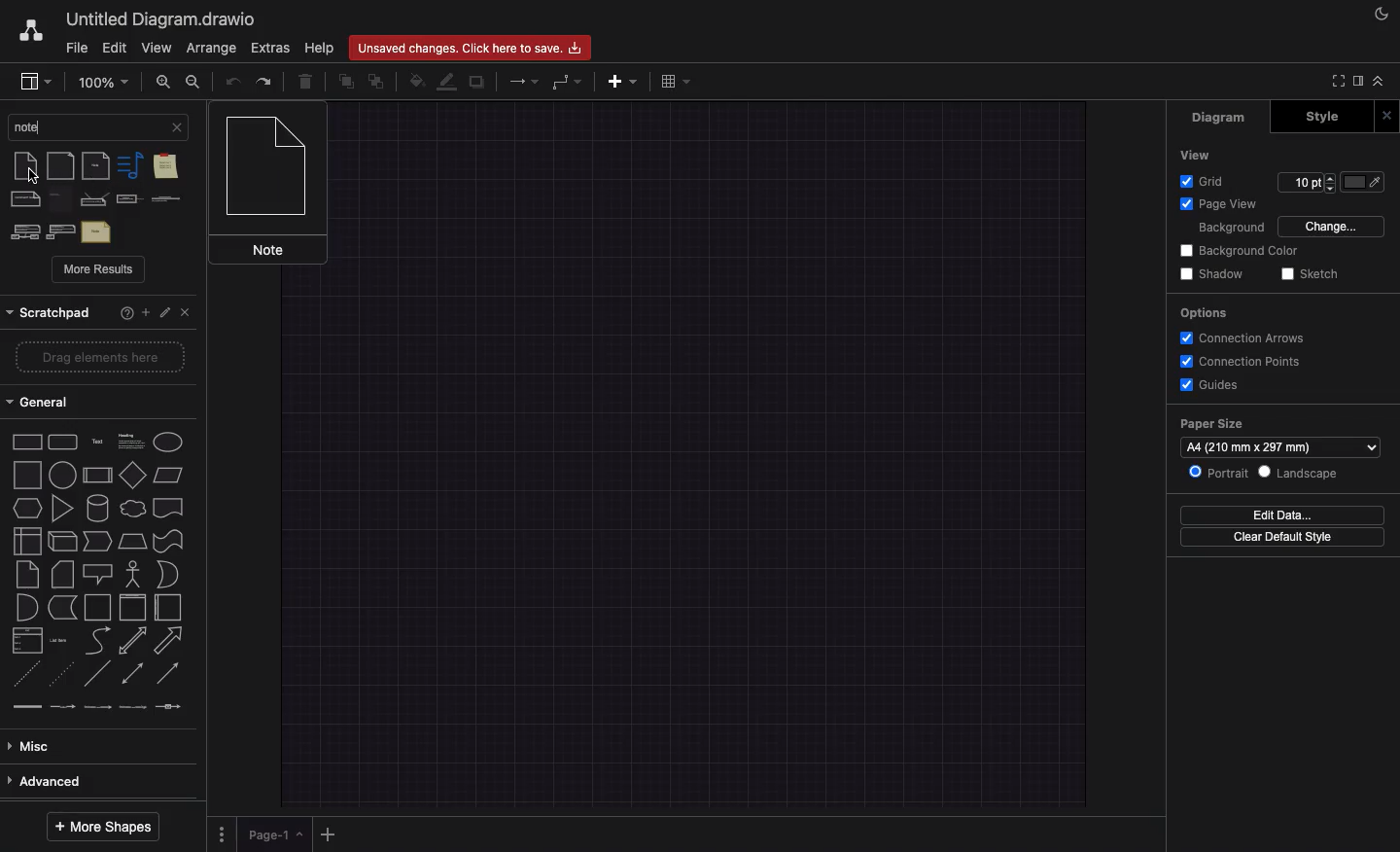 The height and width of the screenshot is (852, 1400). Describe the element at coordinates (1215, 274) in the screenshot. I see `Shadow` at that location.